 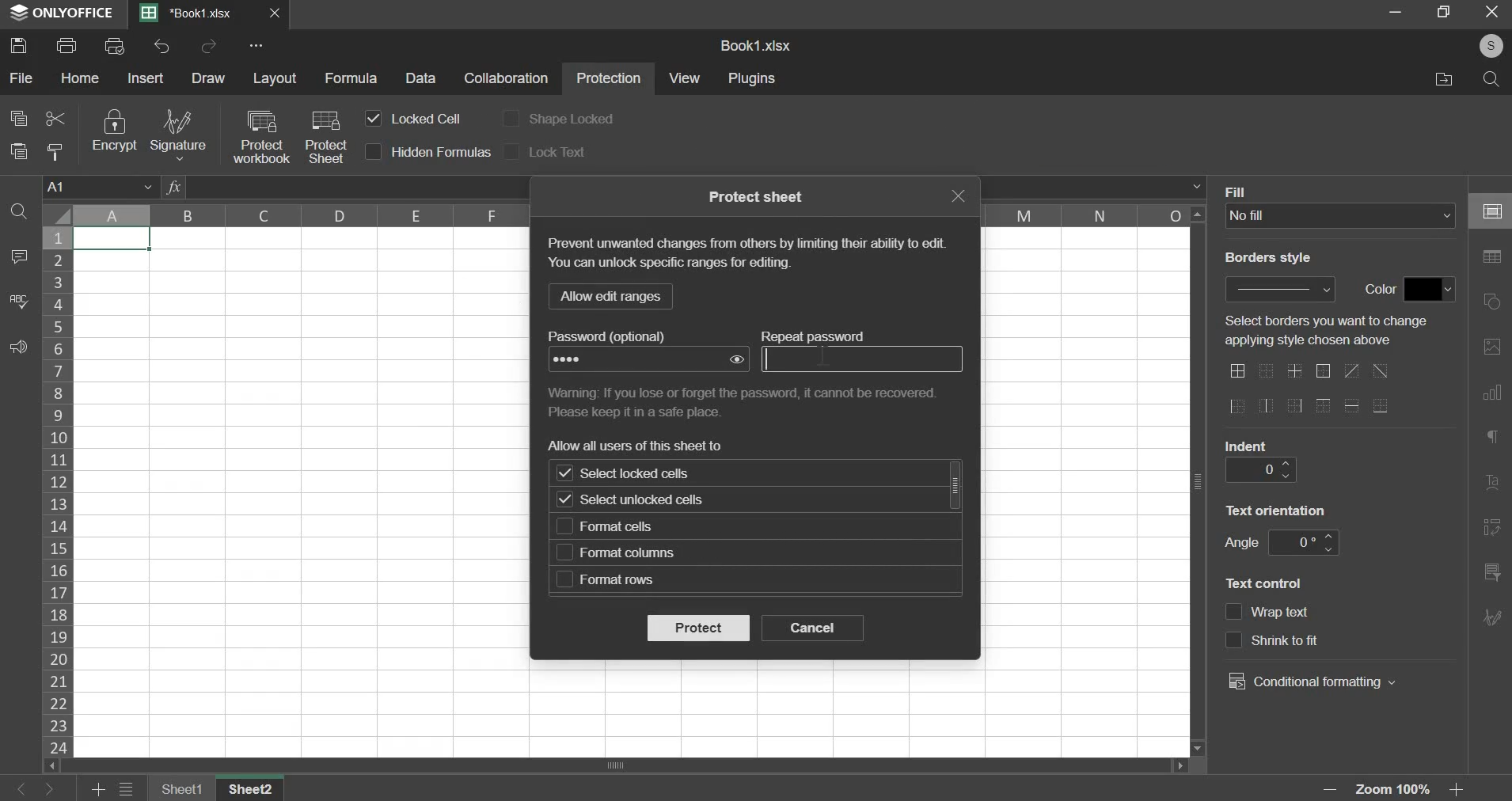 What do you see at coordinates (209, 47) in the screenshot?
I see `redo` at bounding box center [209, 47].